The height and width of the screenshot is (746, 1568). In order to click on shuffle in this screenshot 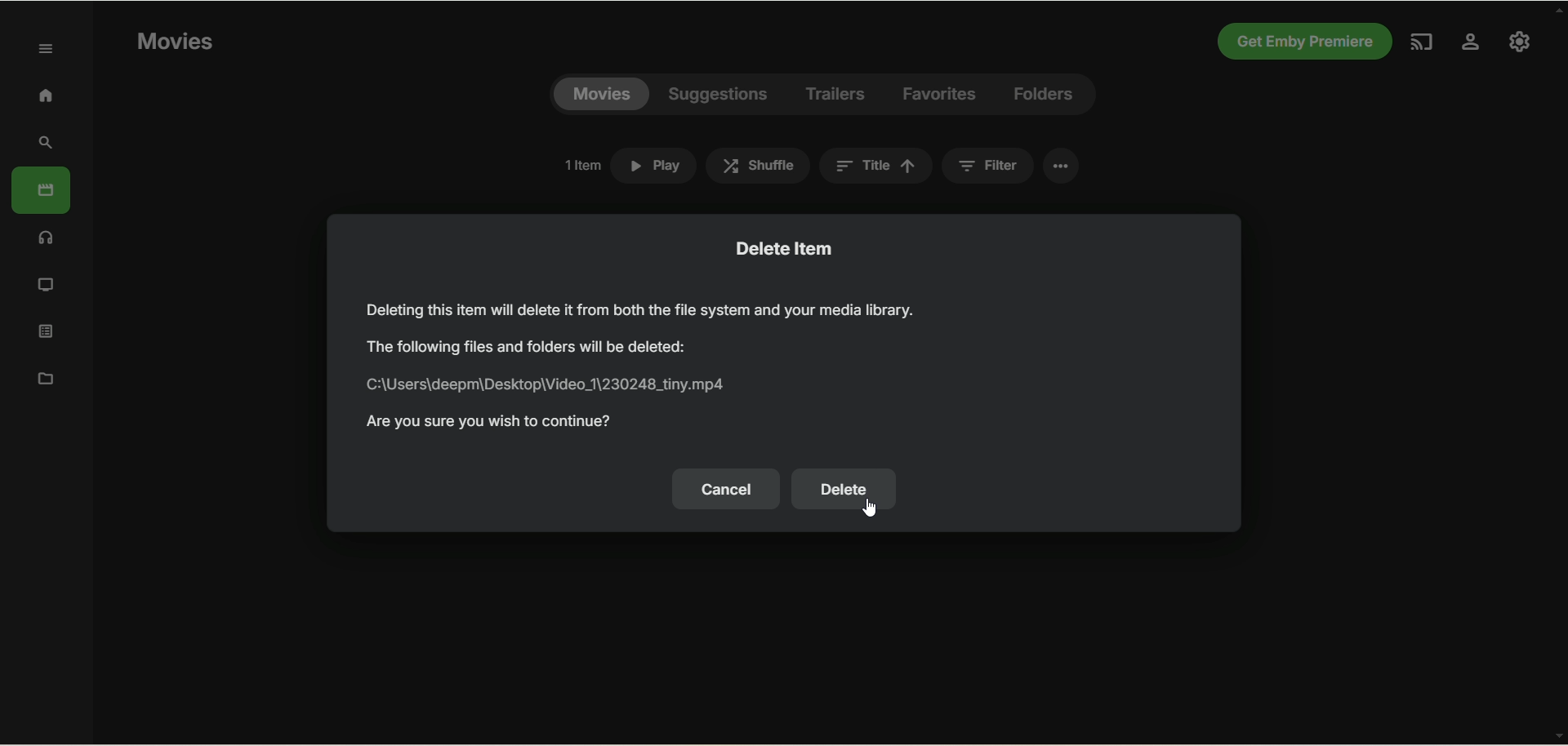, I will do `click(758, 166)`.